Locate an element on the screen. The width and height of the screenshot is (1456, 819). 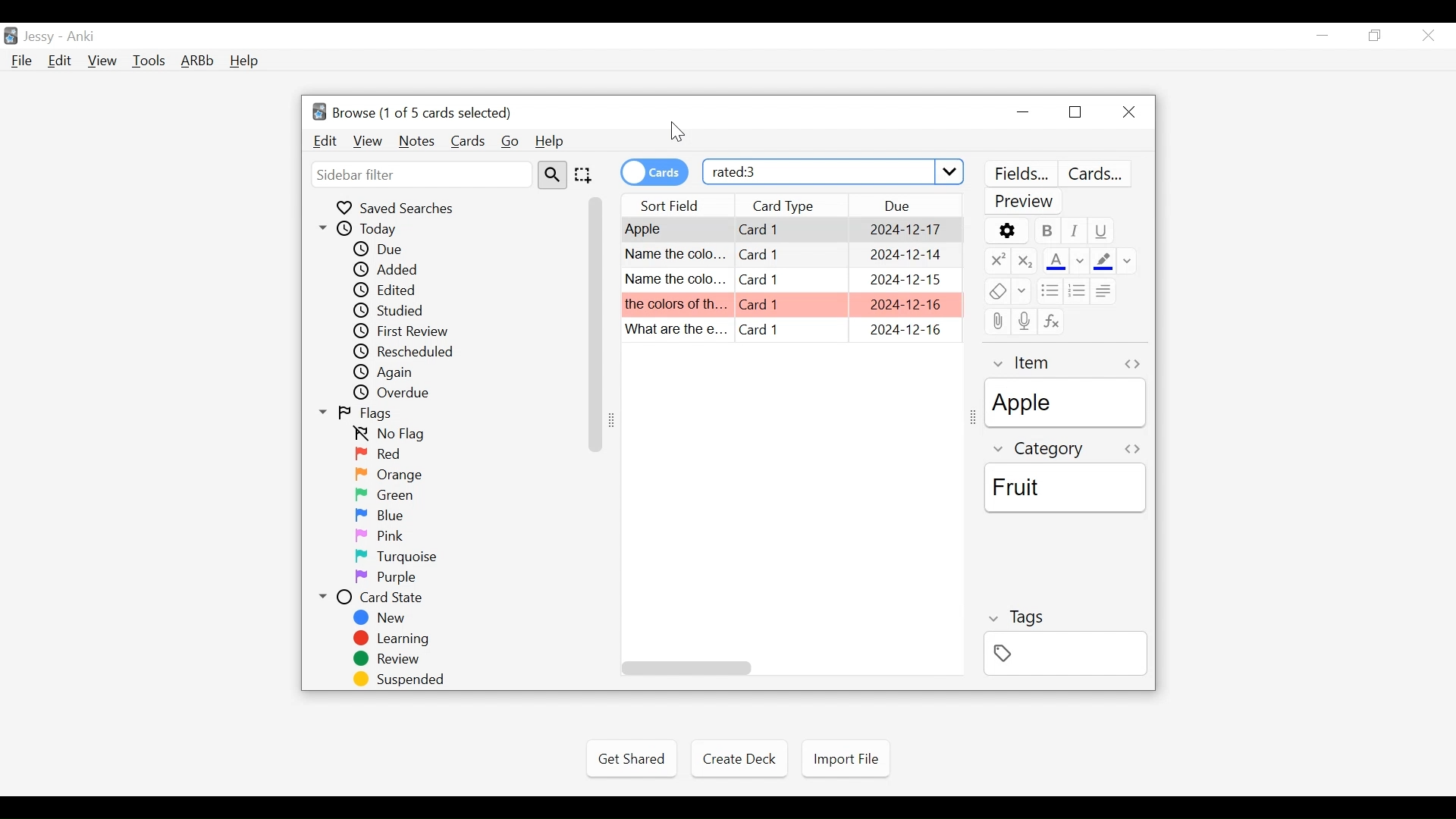
Item is located at coordinates (1031, 364).